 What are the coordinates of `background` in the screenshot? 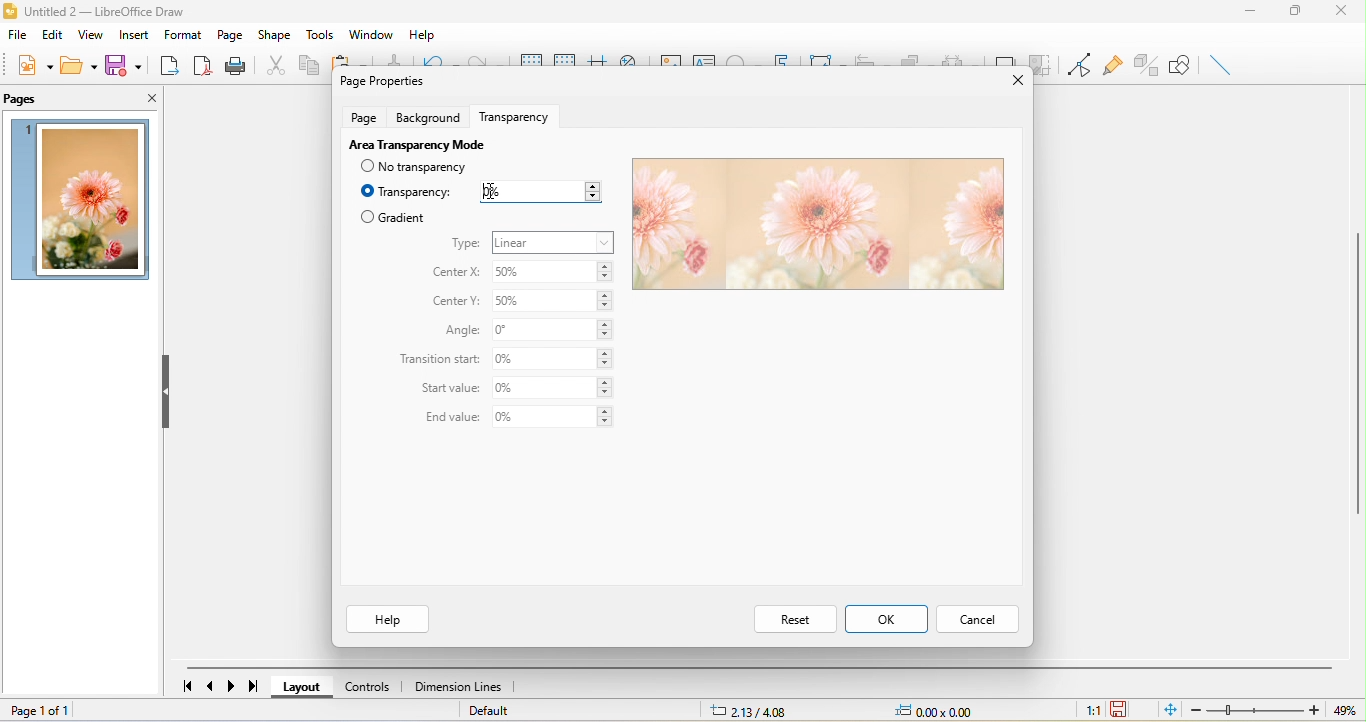 It's located at (431, 116).